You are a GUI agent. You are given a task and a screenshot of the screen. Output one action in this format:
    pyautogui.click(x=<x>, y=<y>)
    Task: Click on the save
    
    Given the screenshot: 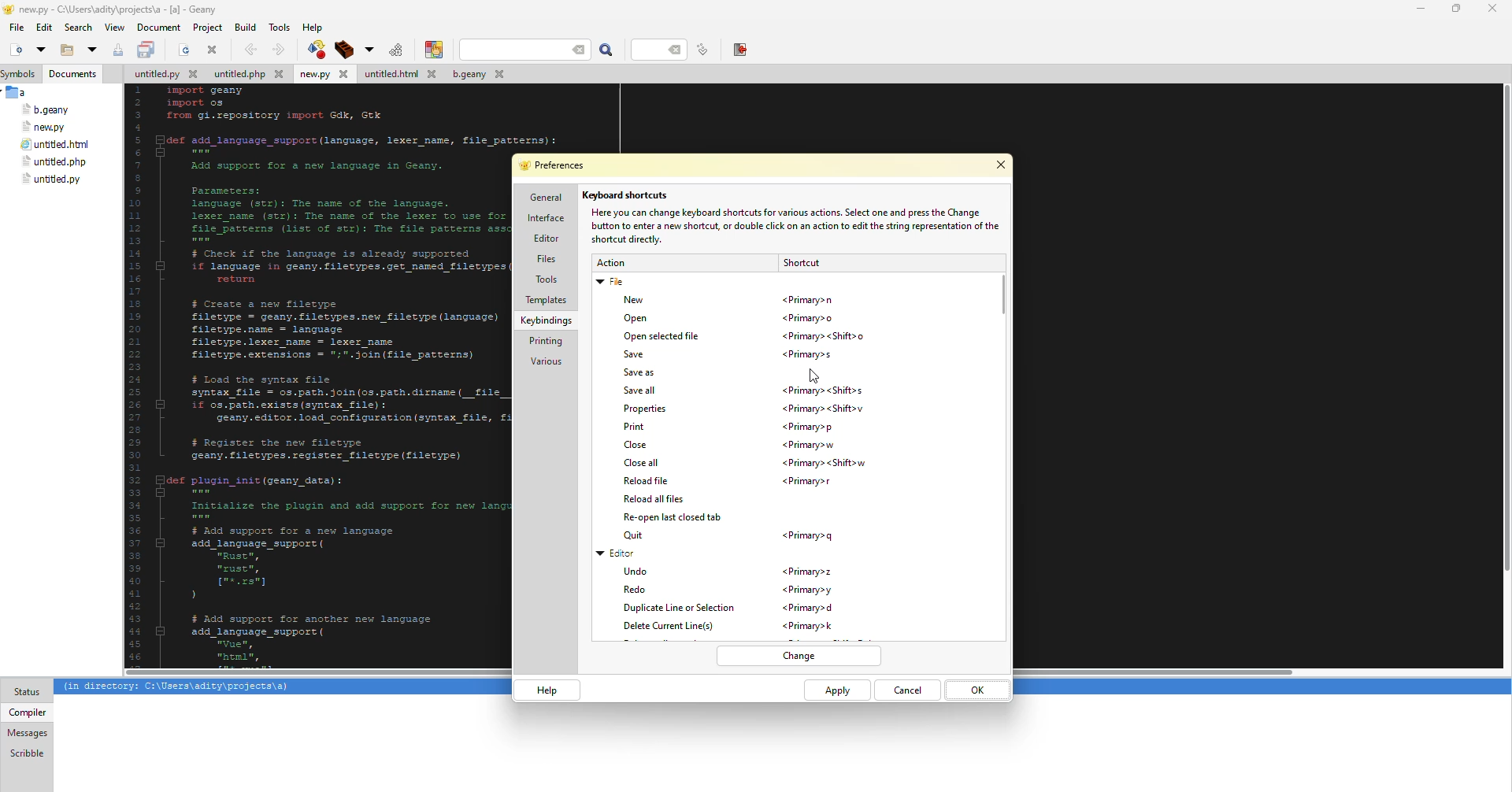 What is the action you would take?
    pyautogui.click(x=118, y=50)
    